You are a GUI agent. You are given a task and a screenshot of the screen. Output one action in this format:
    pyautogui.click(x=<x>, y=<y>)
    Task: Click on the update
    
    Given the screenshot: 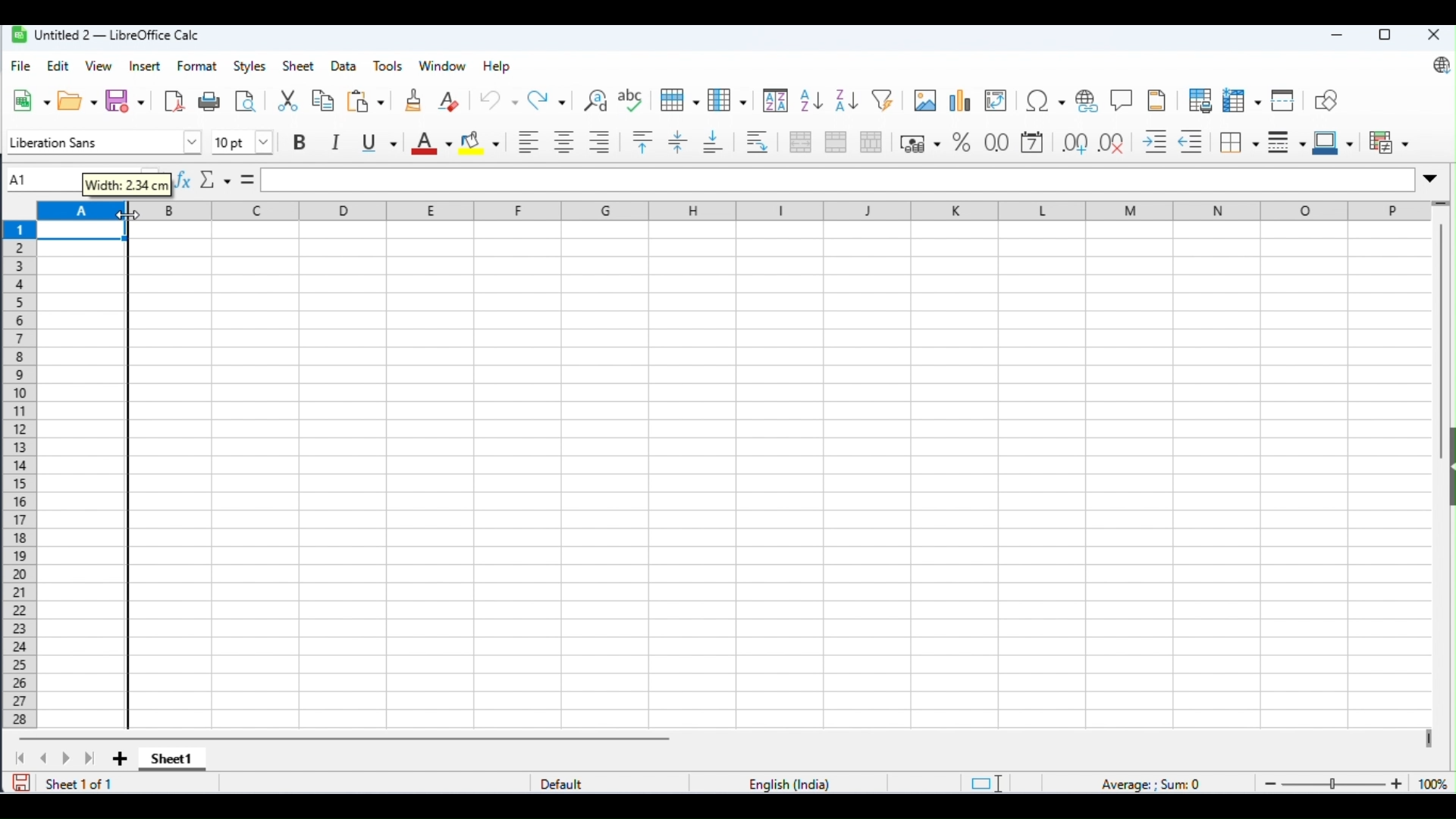 What is the action you would take?
    pyautogui.click(x=1437, y=66)
    